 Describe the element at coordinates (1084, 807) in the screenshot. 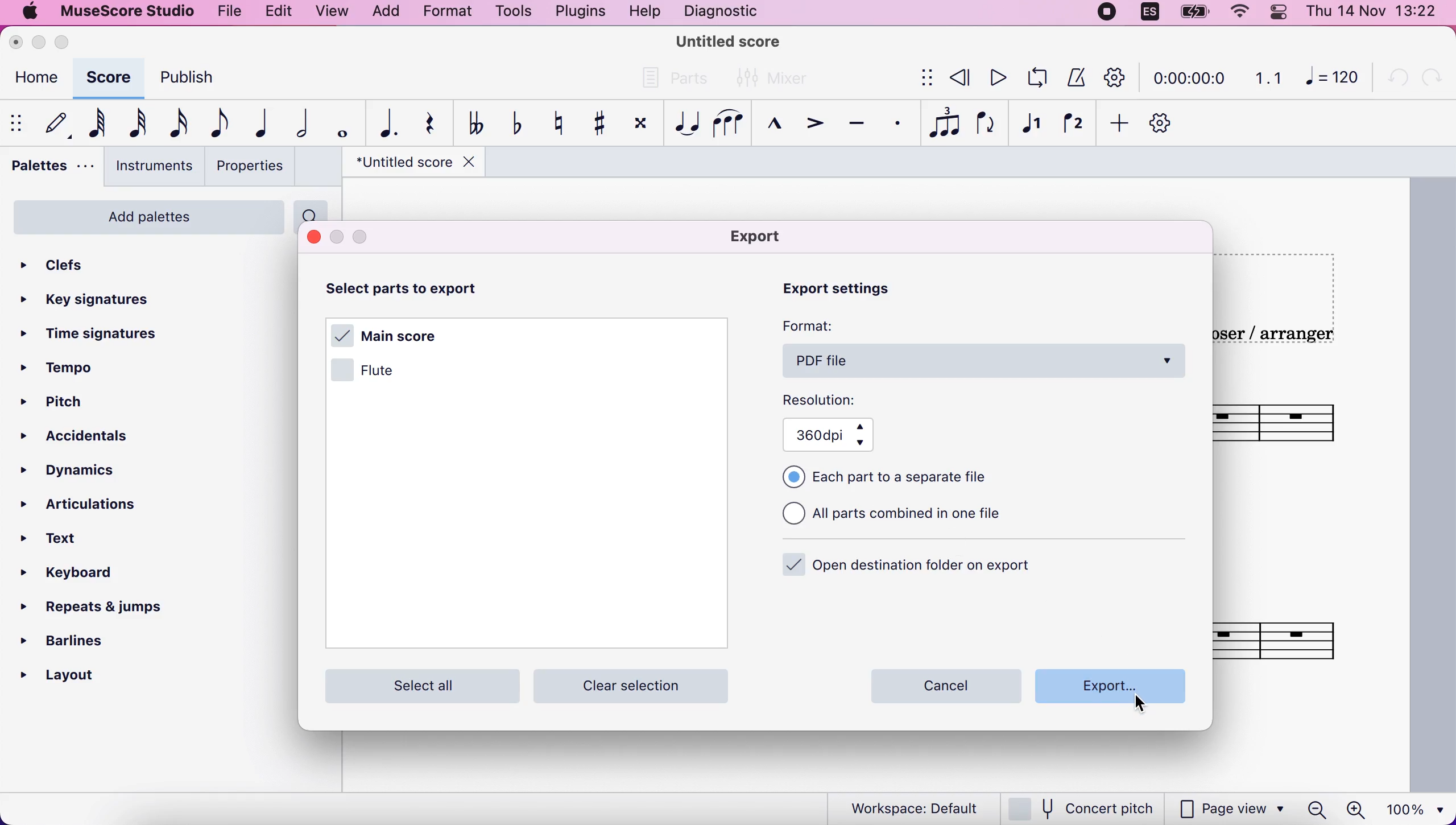

I see `concert pitch` at that location.